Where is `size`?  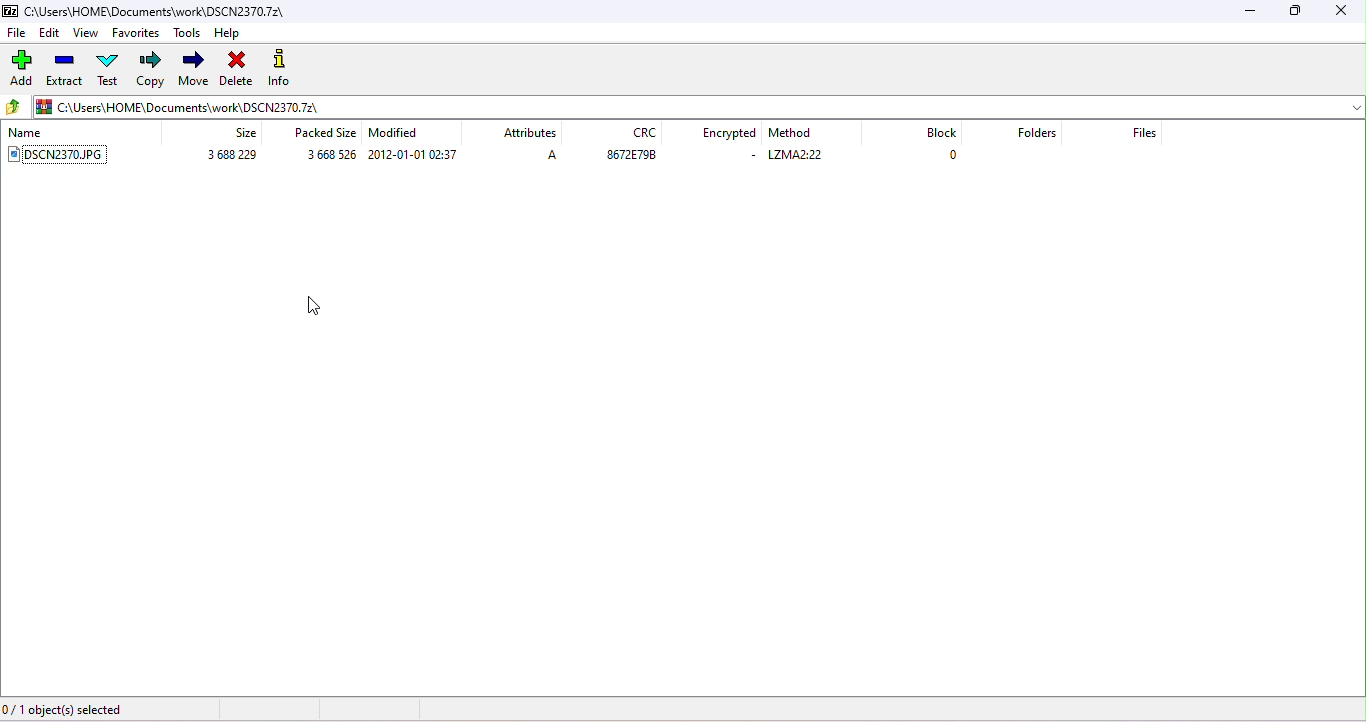
size is located at coordinates (242, 135).